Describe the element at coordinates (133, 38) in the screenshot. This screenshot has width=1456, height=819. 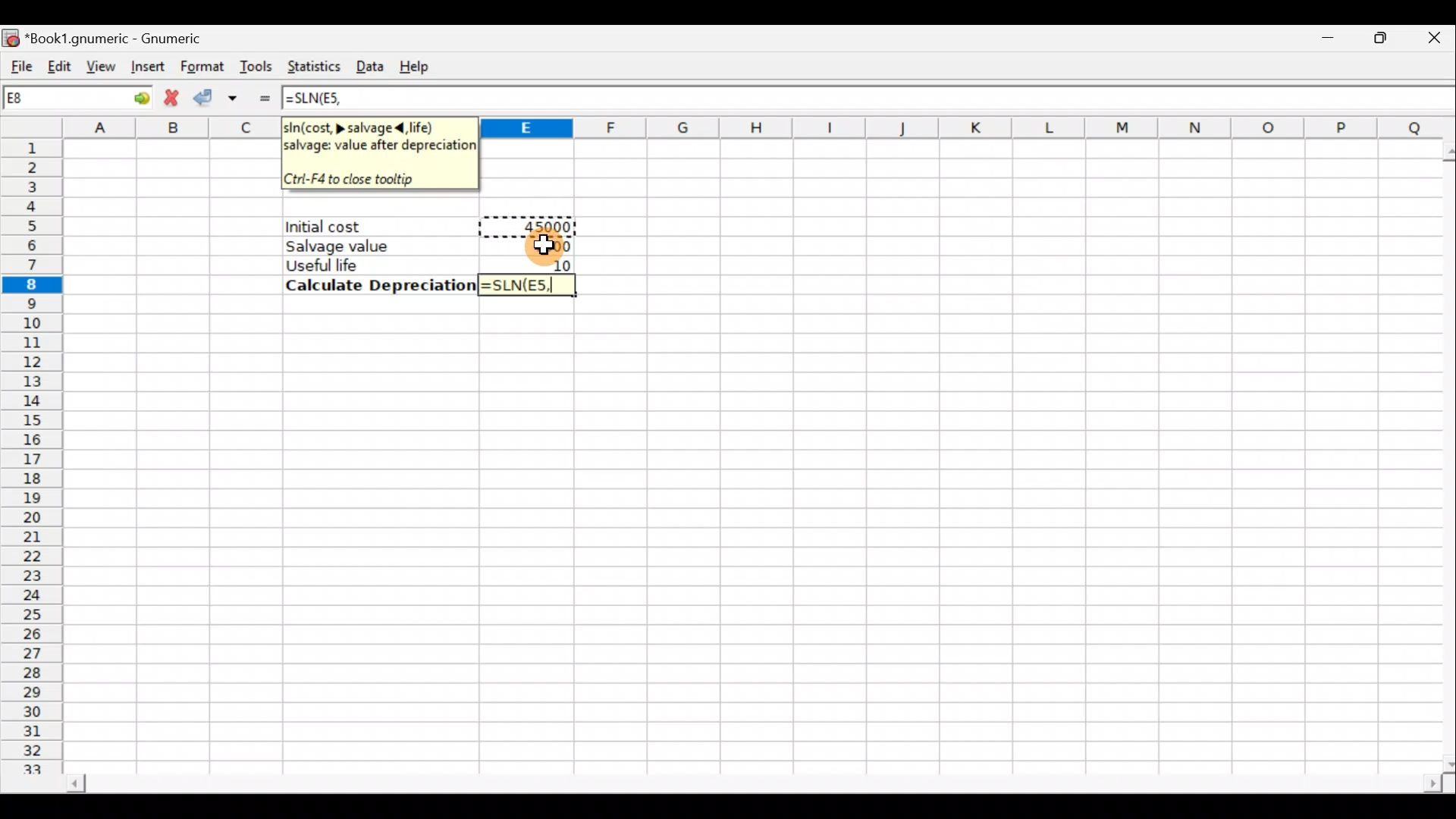
I see `*Book1.gnumeric - Gnumeric` at that location.